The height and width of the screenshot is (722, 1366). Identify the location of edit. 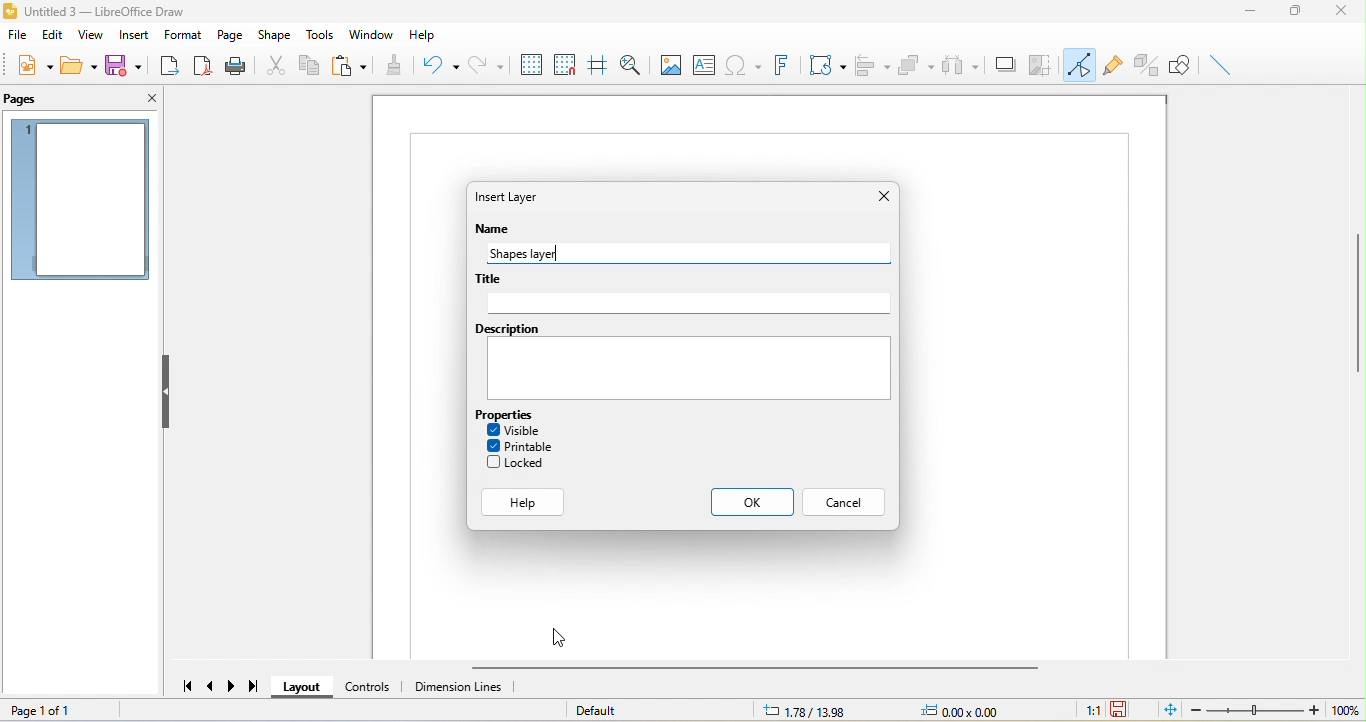
(53, 37).